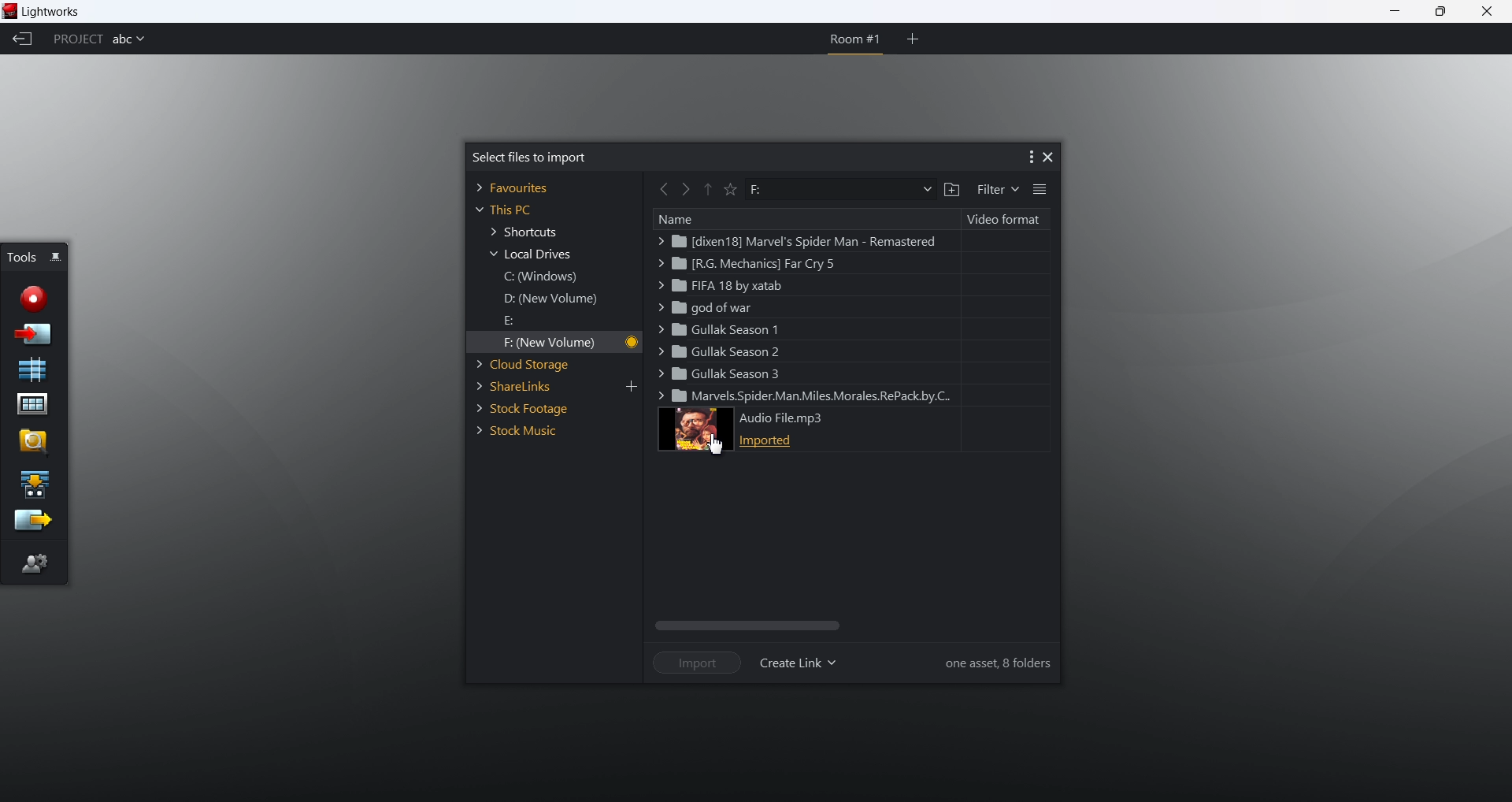 This screenshot has width=1512, height=802. What do you see at coordinates (513, 187) in the screenshot?
I see `favorites` at bounding box center [513, 187].